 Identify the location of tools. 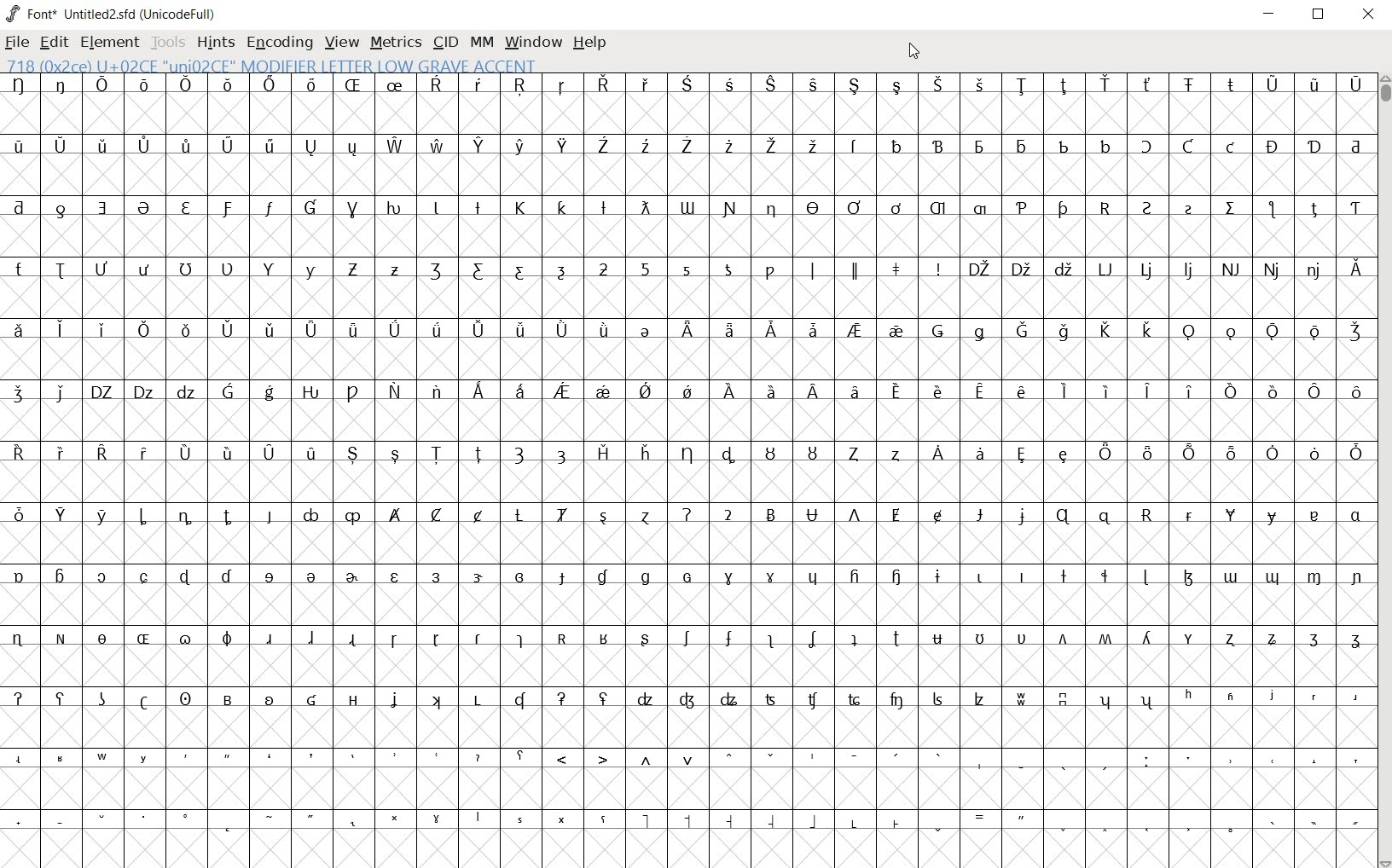
(170, 44).